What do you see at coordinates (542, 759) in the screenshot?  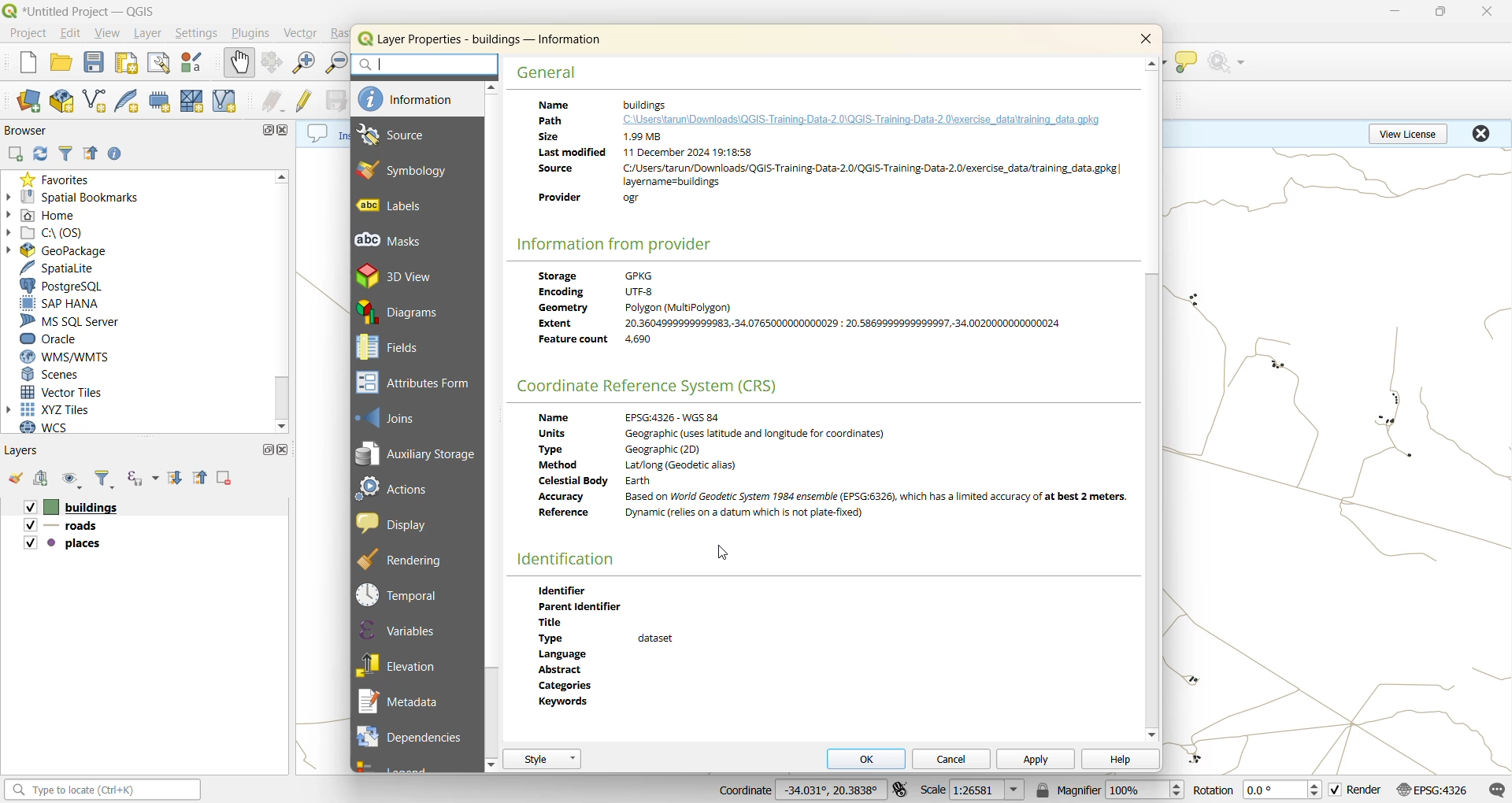 I see `style` at bounding box center [542, 759].